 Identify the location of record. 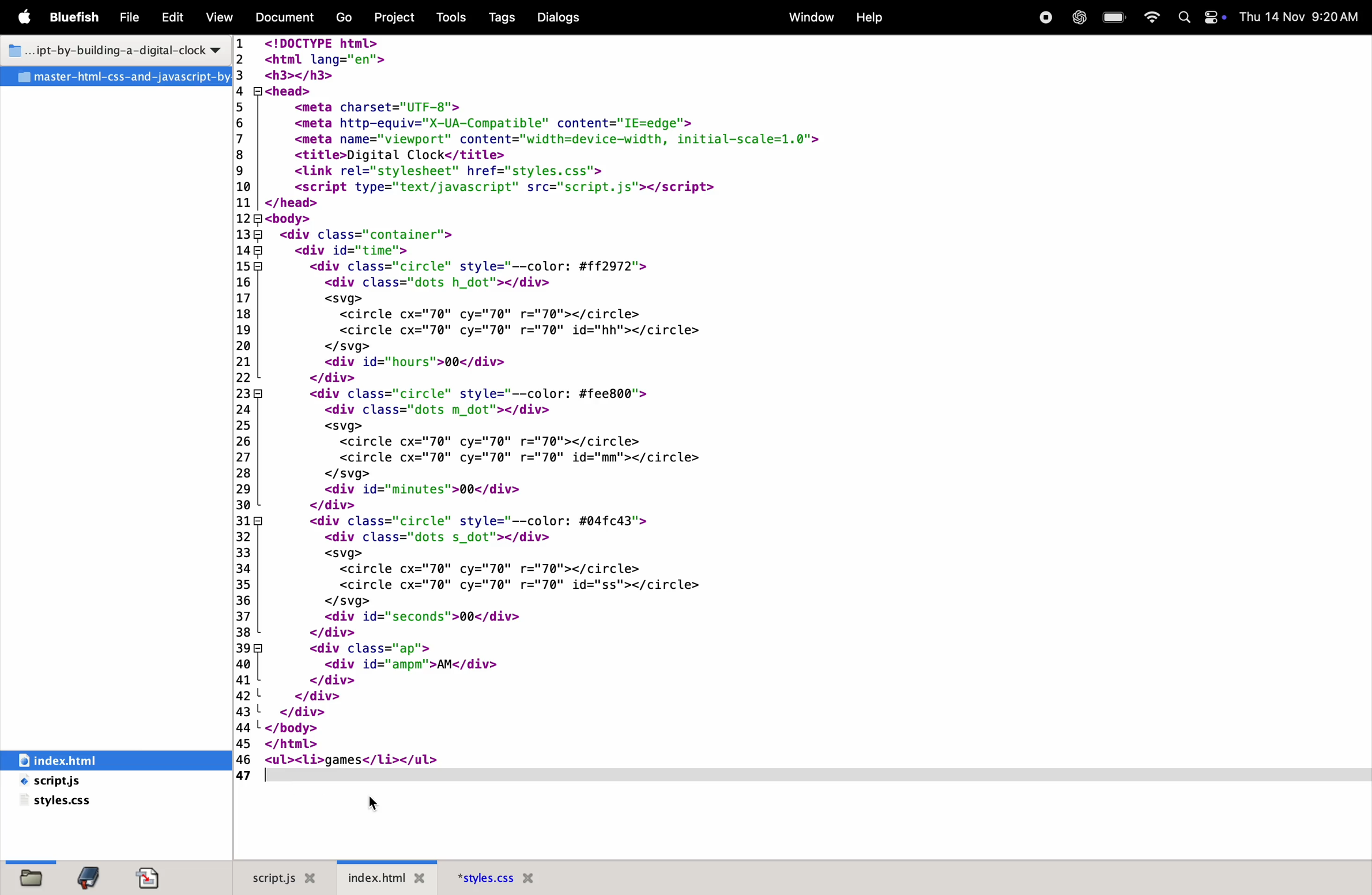
(1044, 17).